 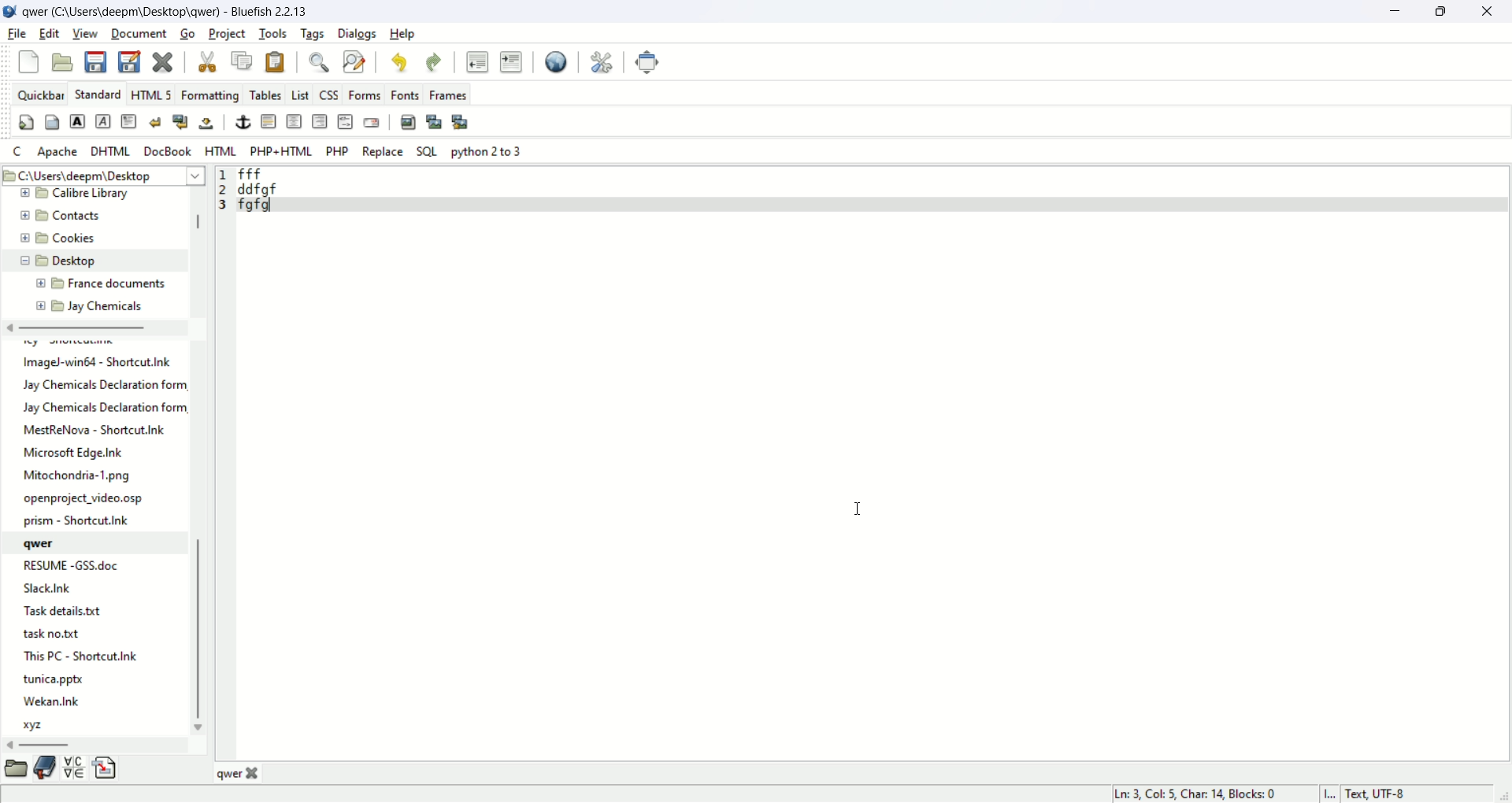 What do you see at coordinates (269, 122) in the screenshot?
I see `horizontal rule` at bounding box center [269, 122].